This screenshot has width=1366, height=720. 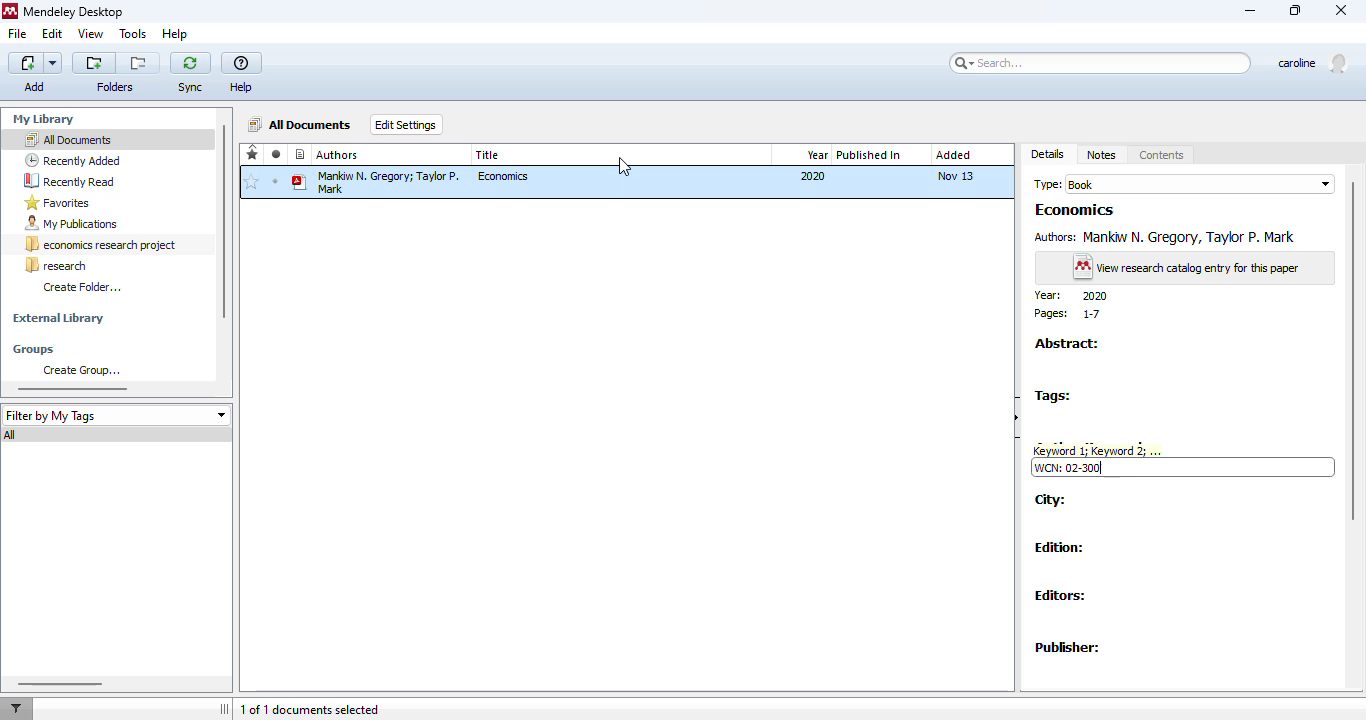 What do you see at coordinates (10, 10) in the screenshot?
I see `logo` at bounding box center [10, 10].